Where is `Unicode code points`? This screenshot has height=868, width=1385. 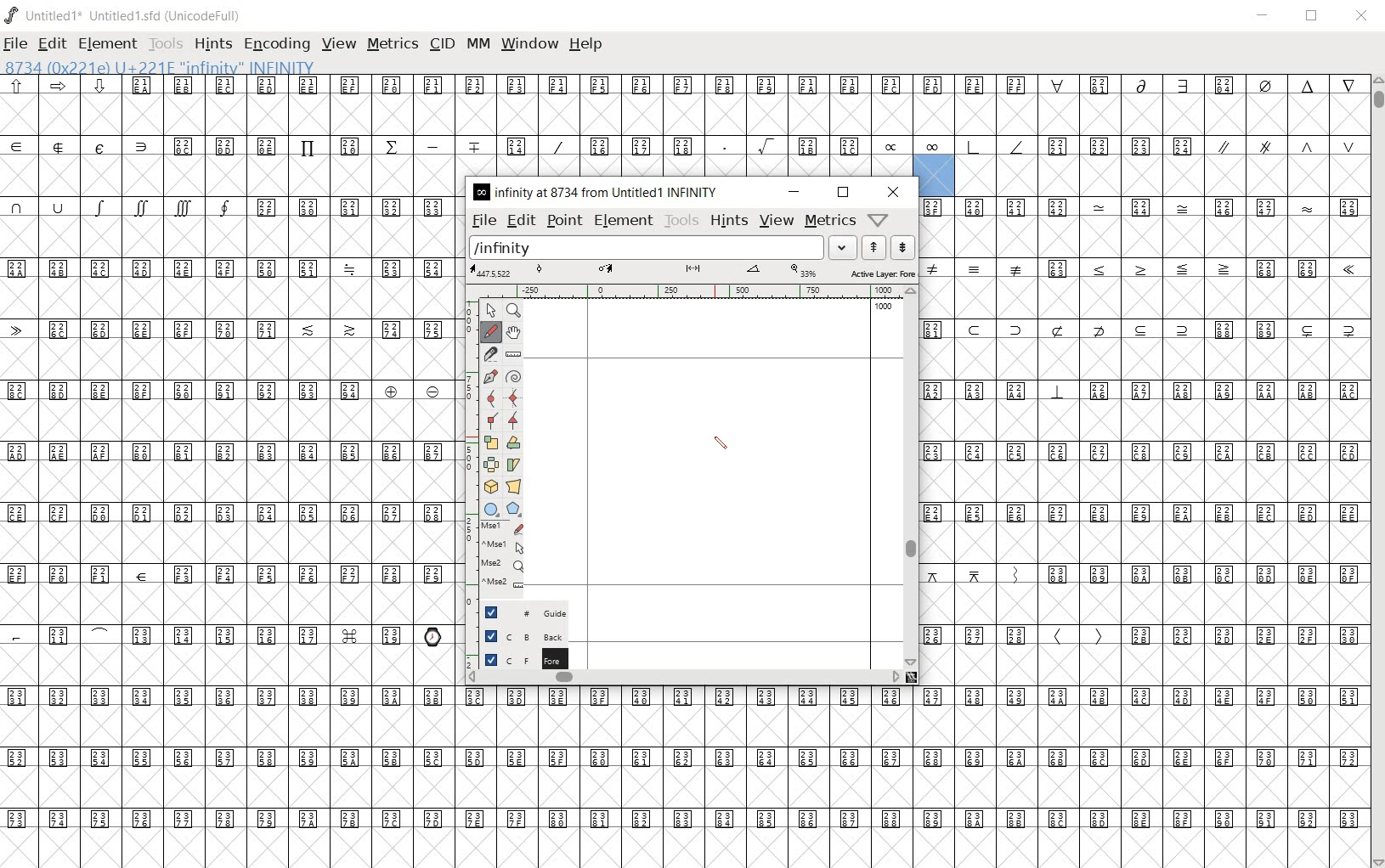 Unicode code points is located at coordinates (998, 206).